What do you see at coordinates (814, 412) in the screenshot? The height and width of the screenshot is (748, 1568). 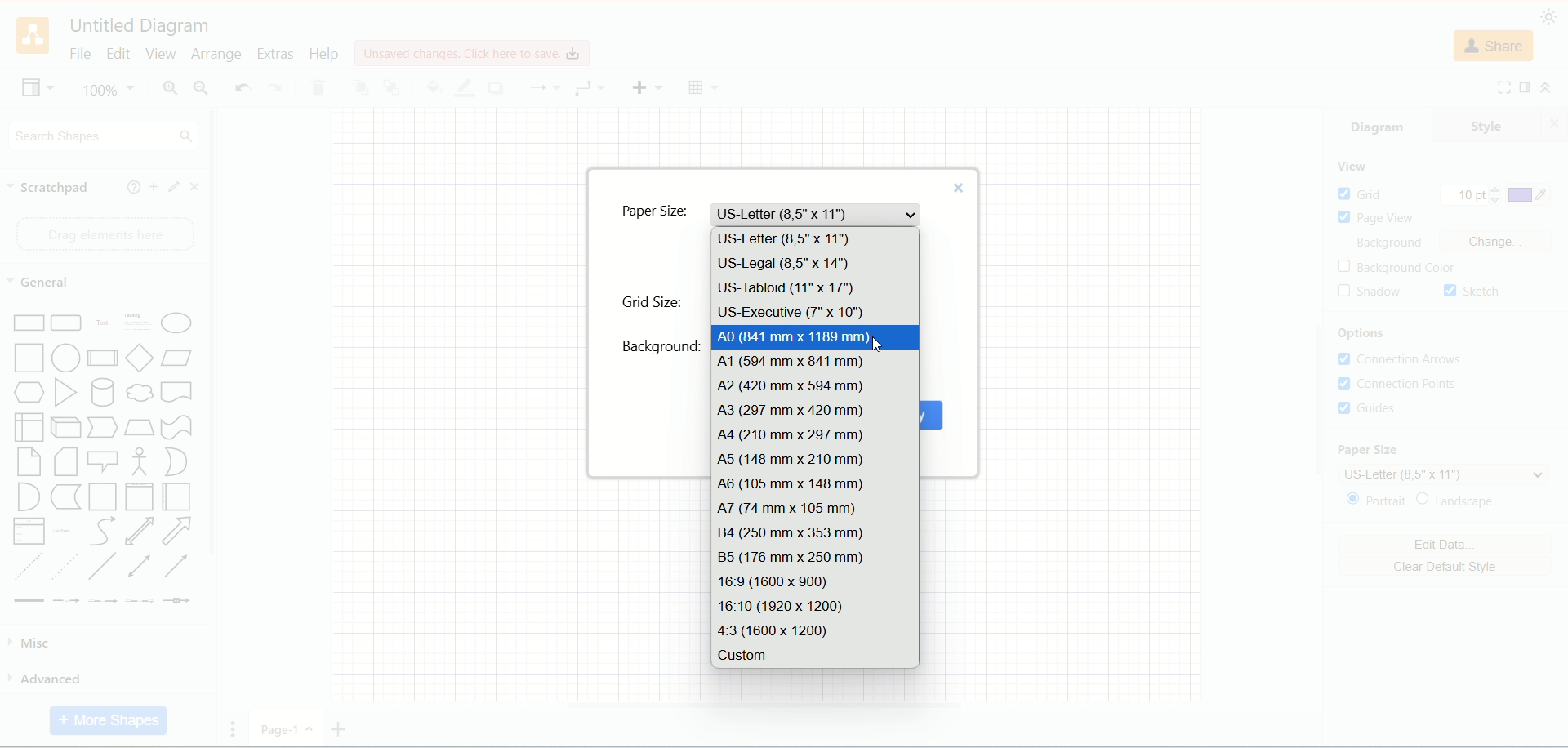 I see `A3` at bounding box center [814, 412].